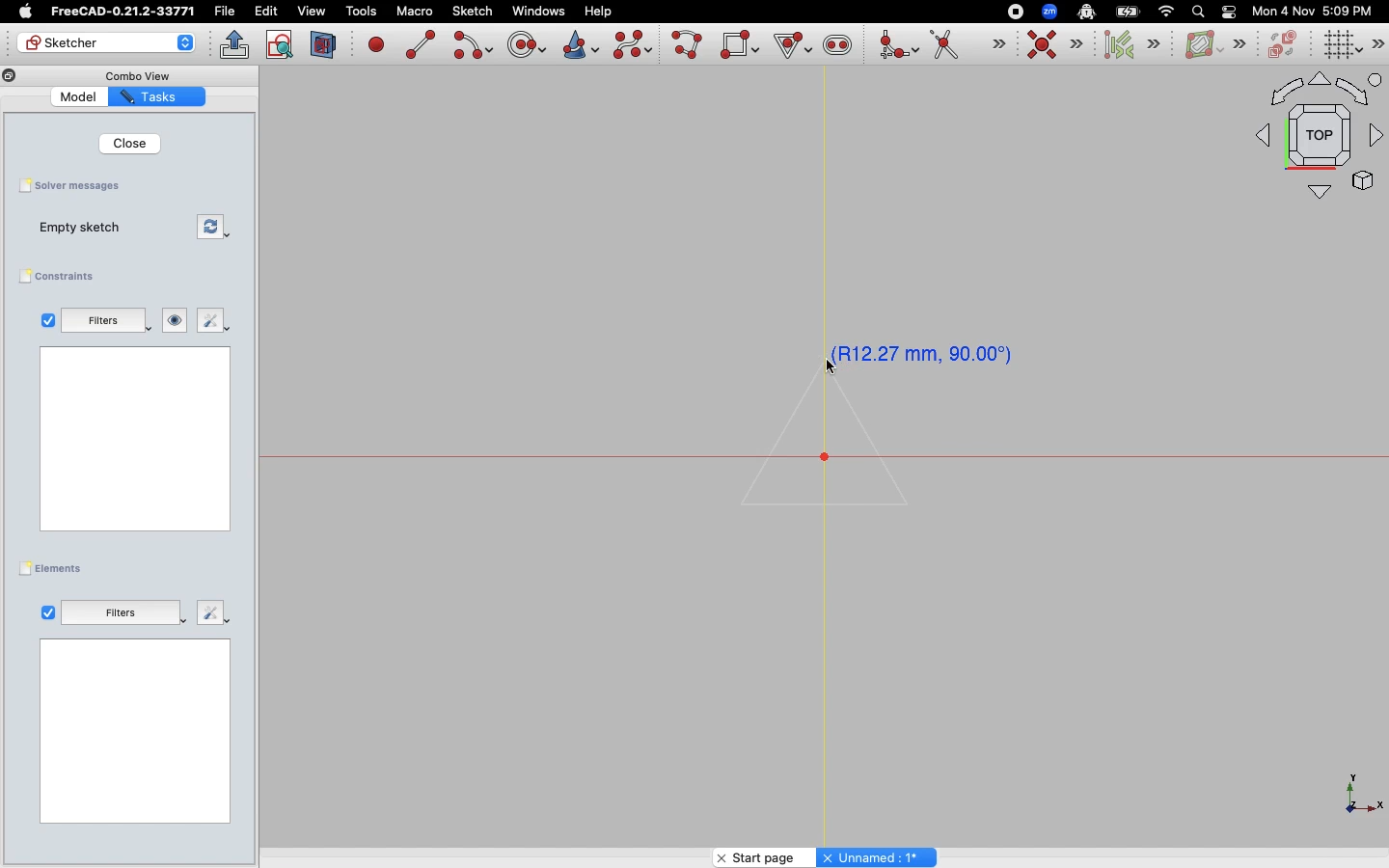 Image resolution: width=1389 pixels, height=868 pixels. Describe the element at coordinates (23, 12) in the screenshot. I see `Apple Logo` at that location.